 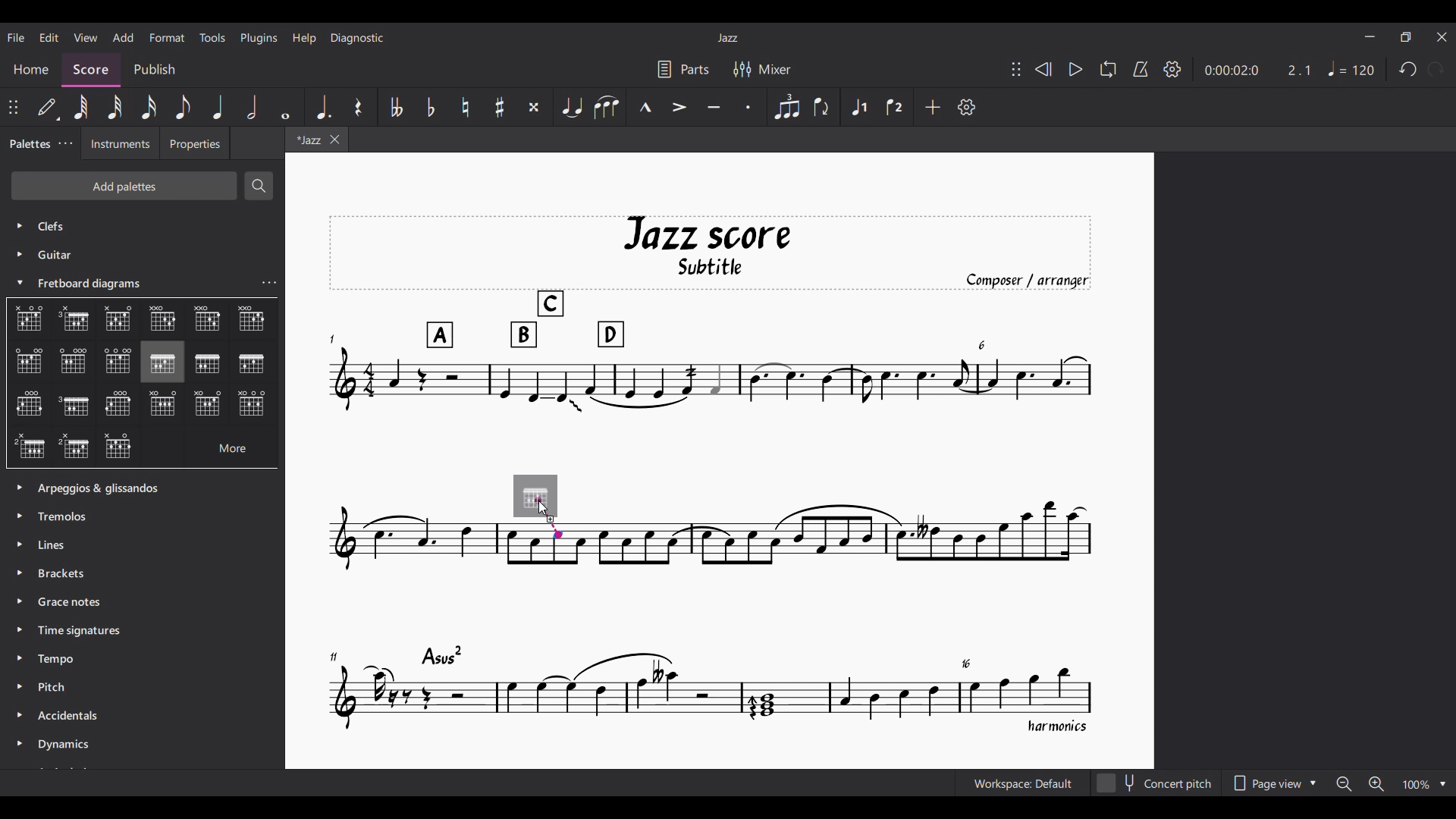 I want to click on Parts settings, so click(x=683, y=69).